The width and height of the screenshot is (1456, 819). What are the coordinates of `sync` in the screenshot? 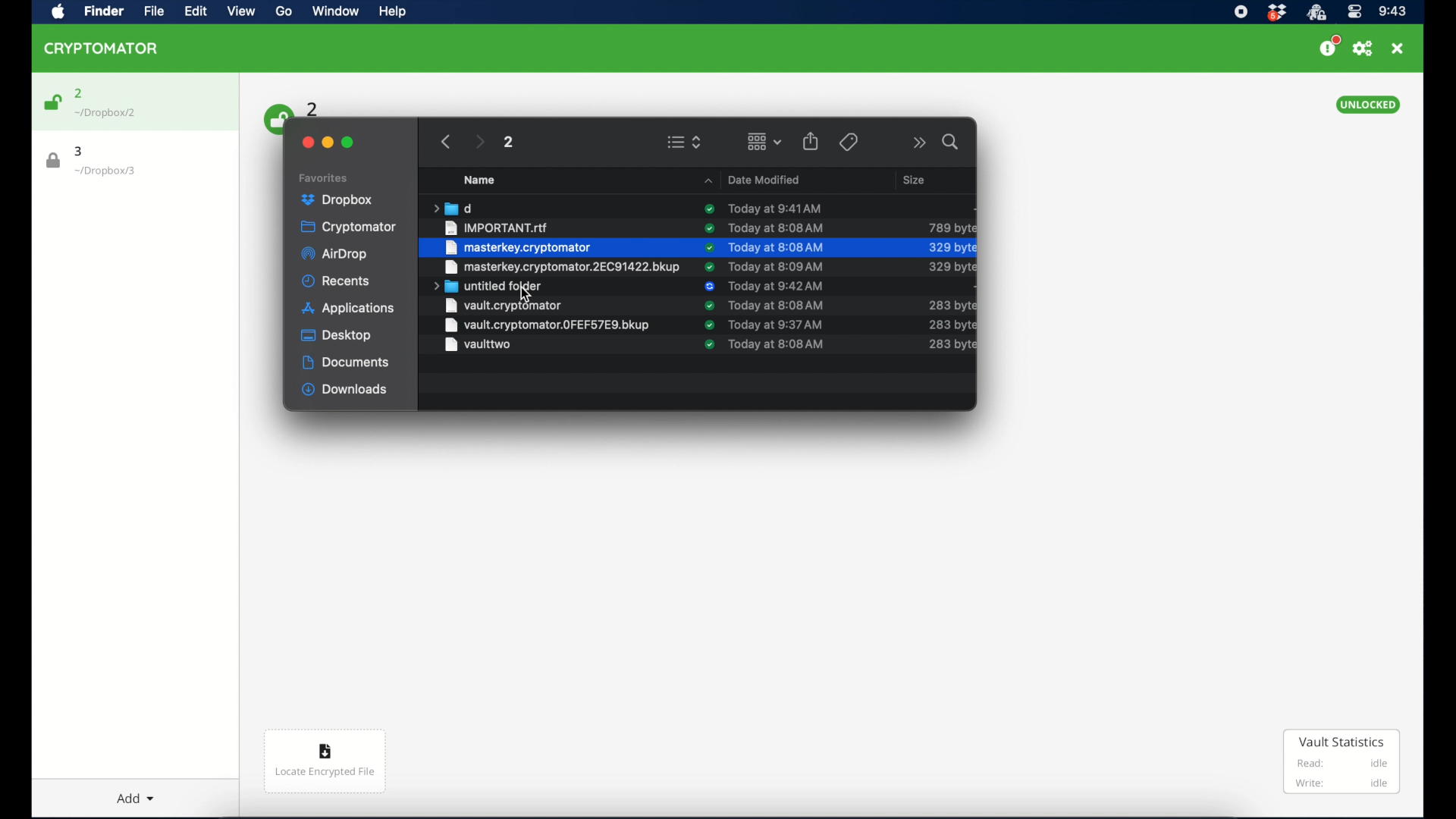 It's located at (704, 346).